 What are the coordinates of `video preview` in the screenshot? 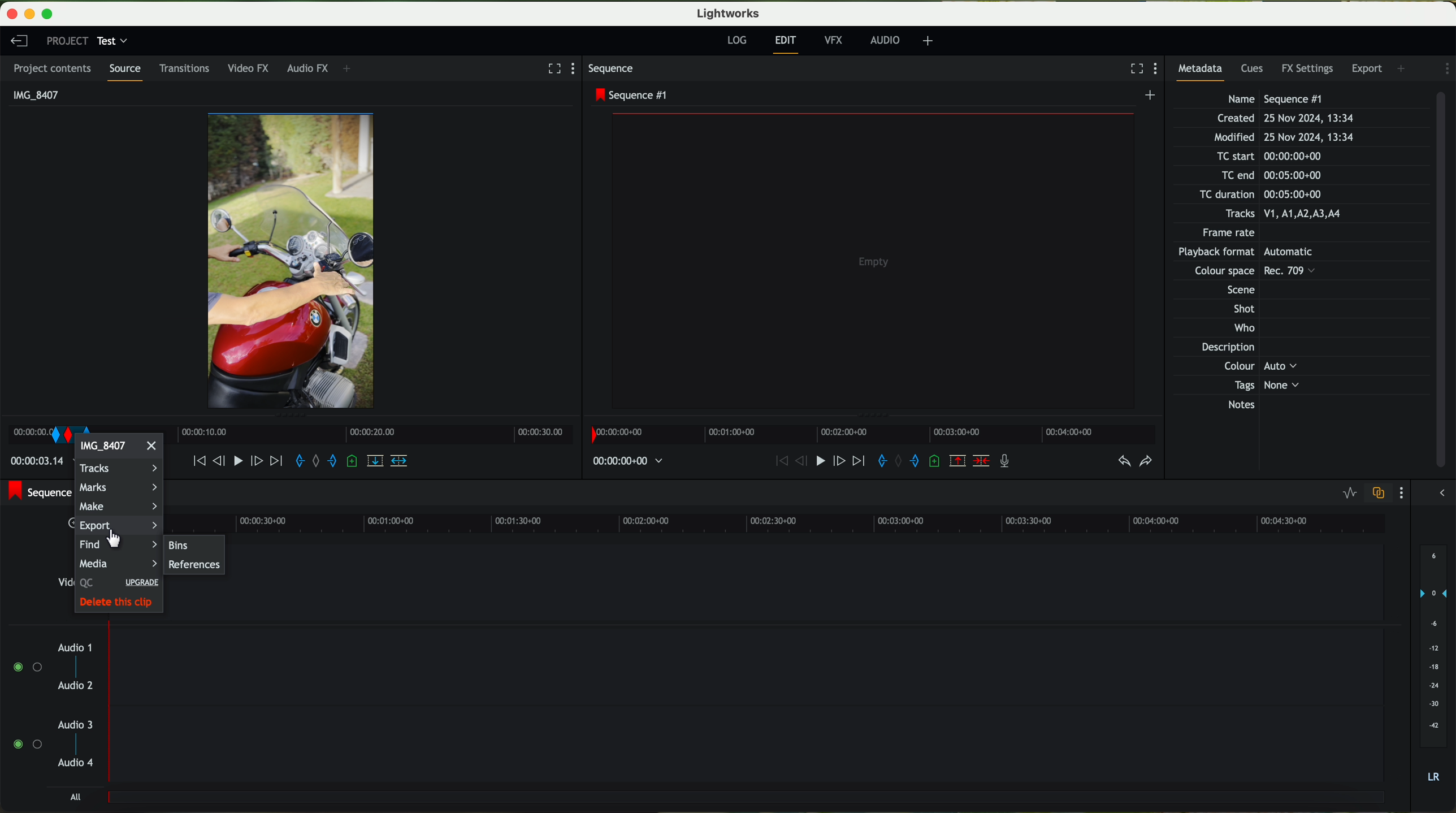 It's located at (873, 260).